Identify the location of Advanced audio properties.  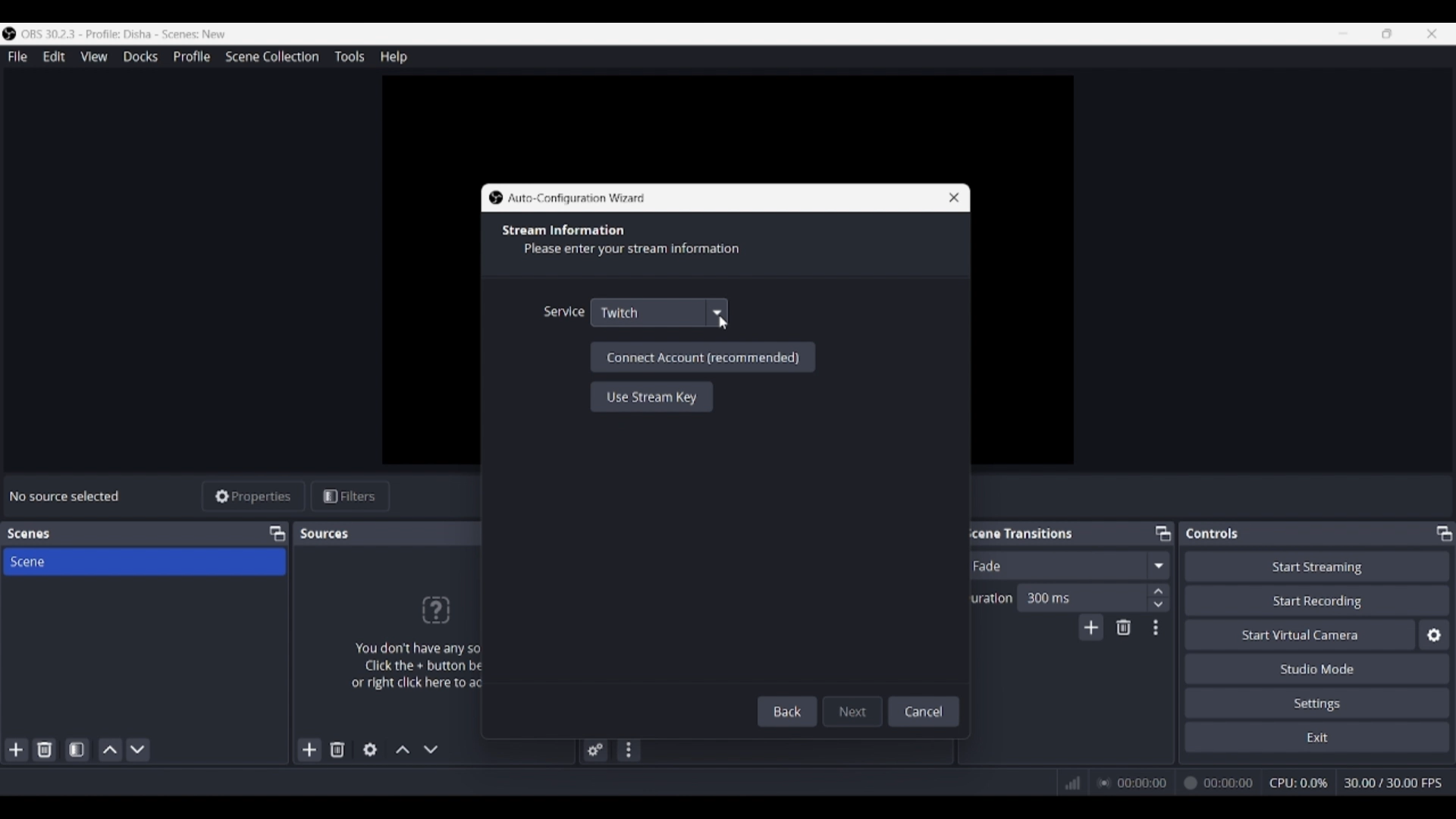
(595, 750).